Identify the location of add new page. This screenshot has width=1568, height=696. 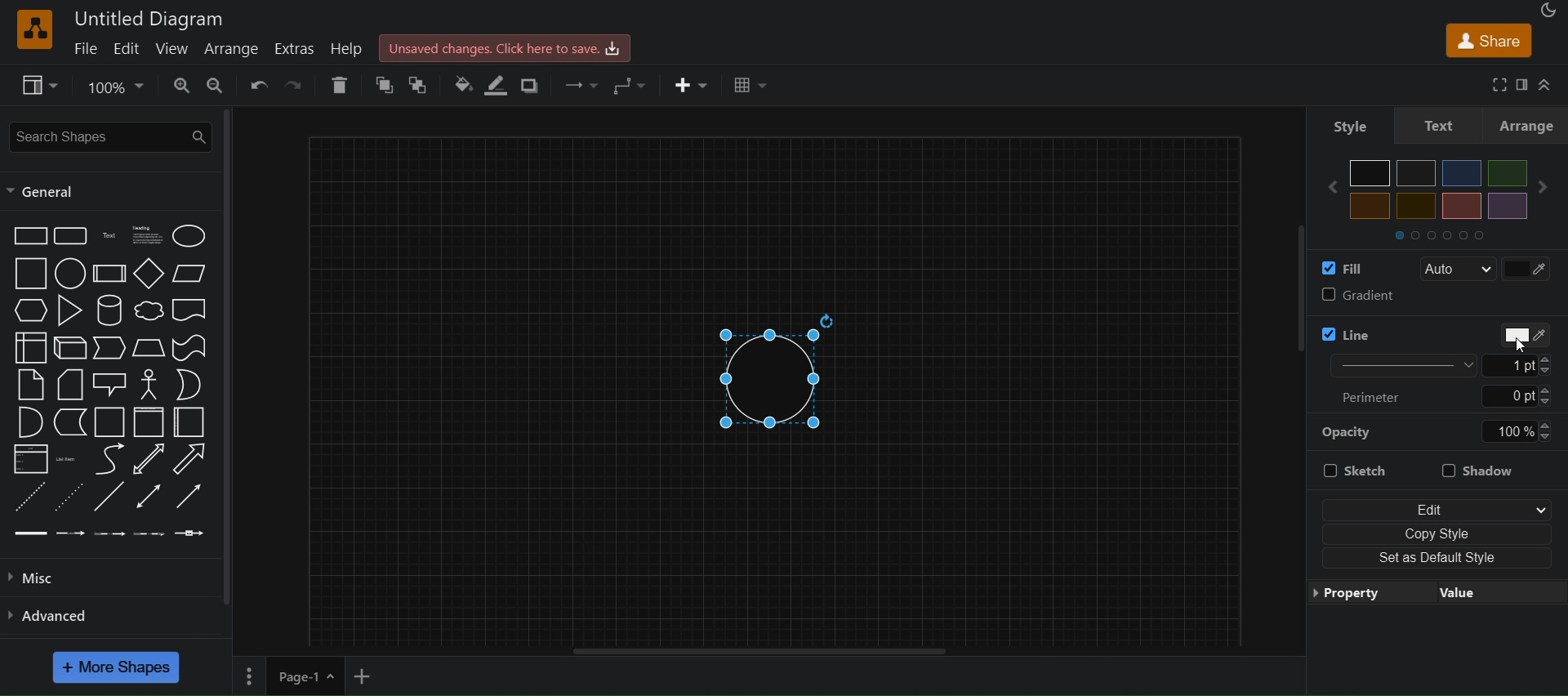
(367, 673).